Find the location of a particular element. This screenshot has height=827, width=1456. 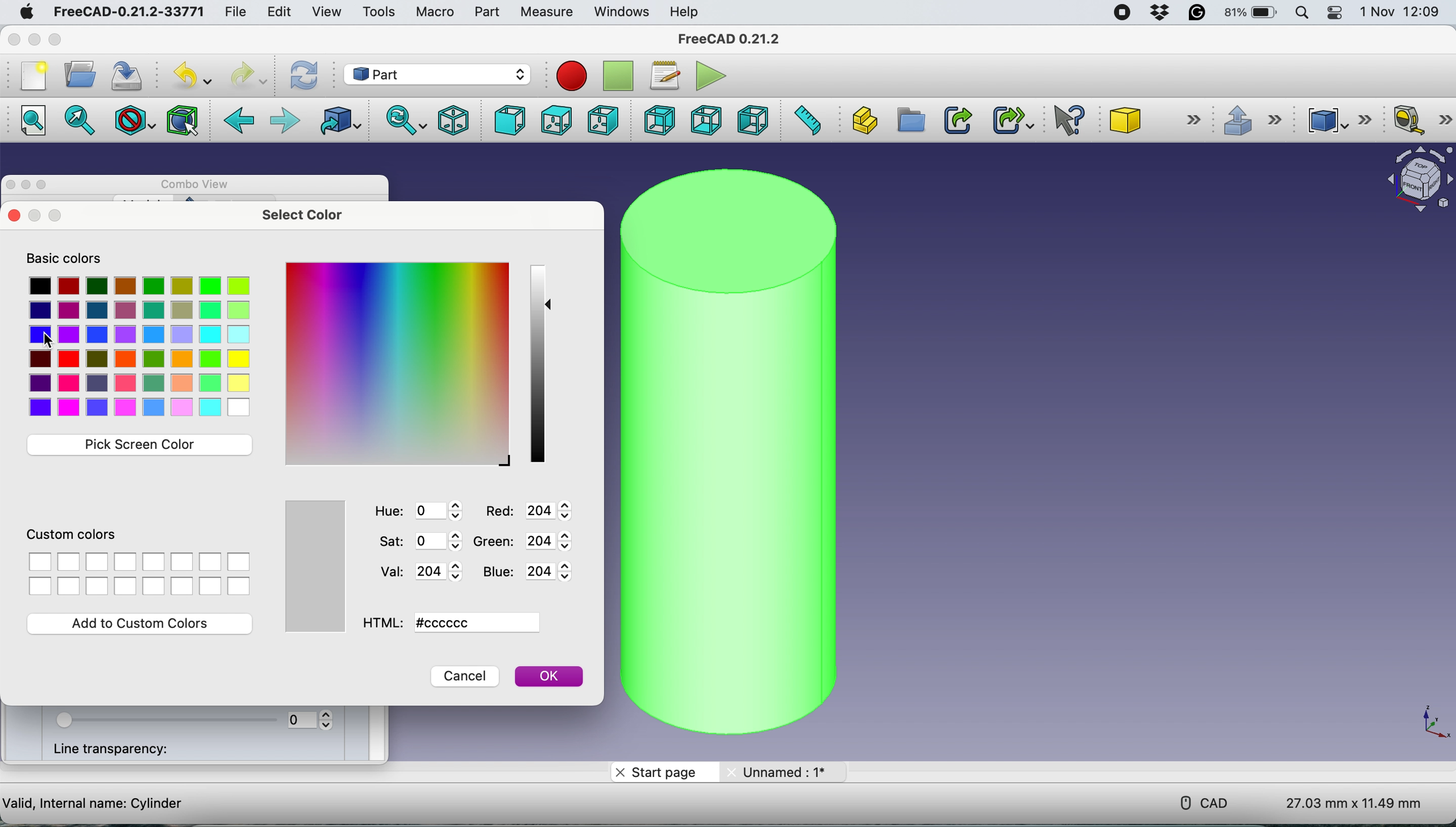

basic colors is located at coordinates (65, 257).